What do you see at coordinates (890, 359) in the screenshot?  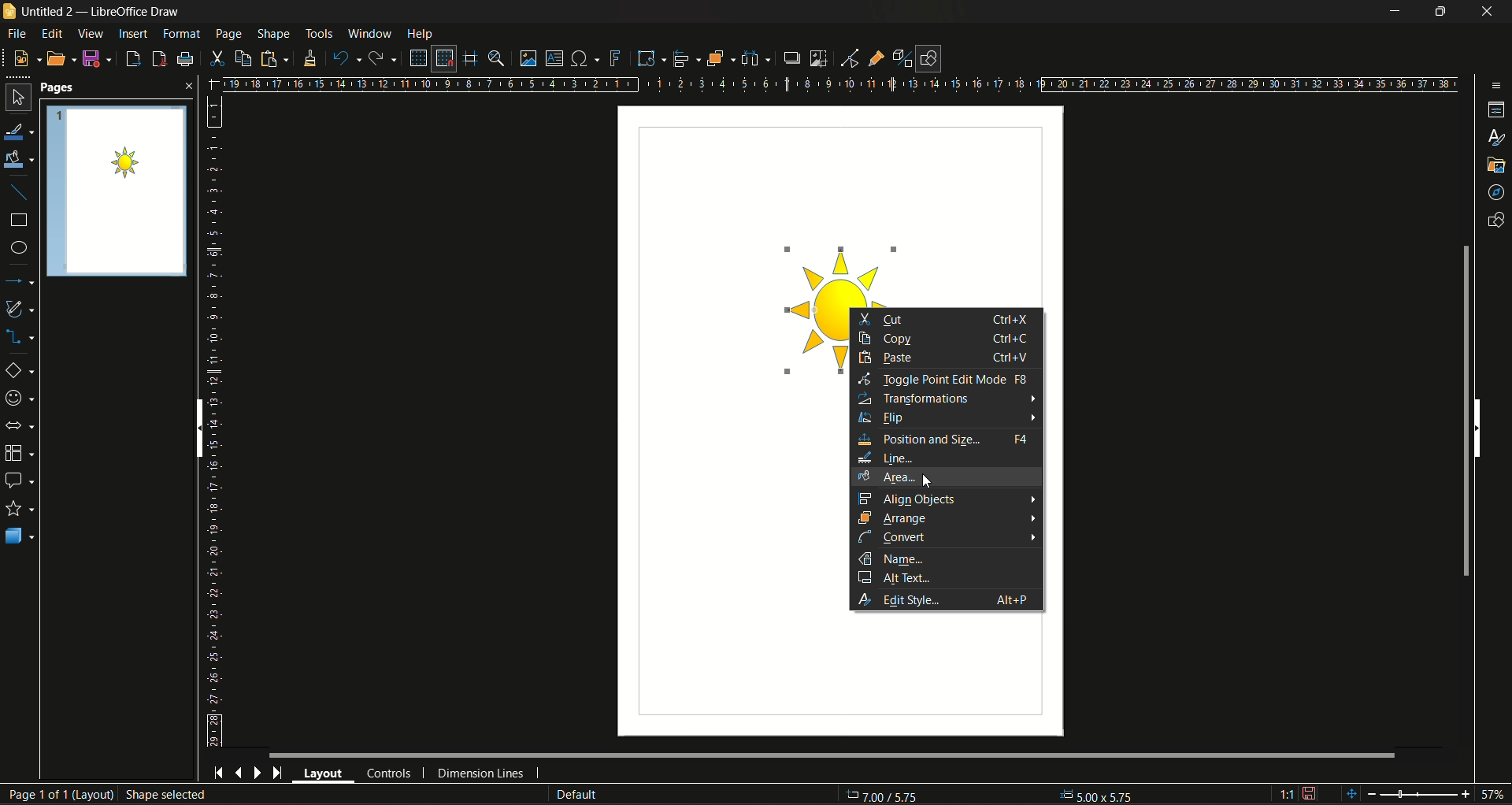 I see `paste` at bounding box center [890, 359].